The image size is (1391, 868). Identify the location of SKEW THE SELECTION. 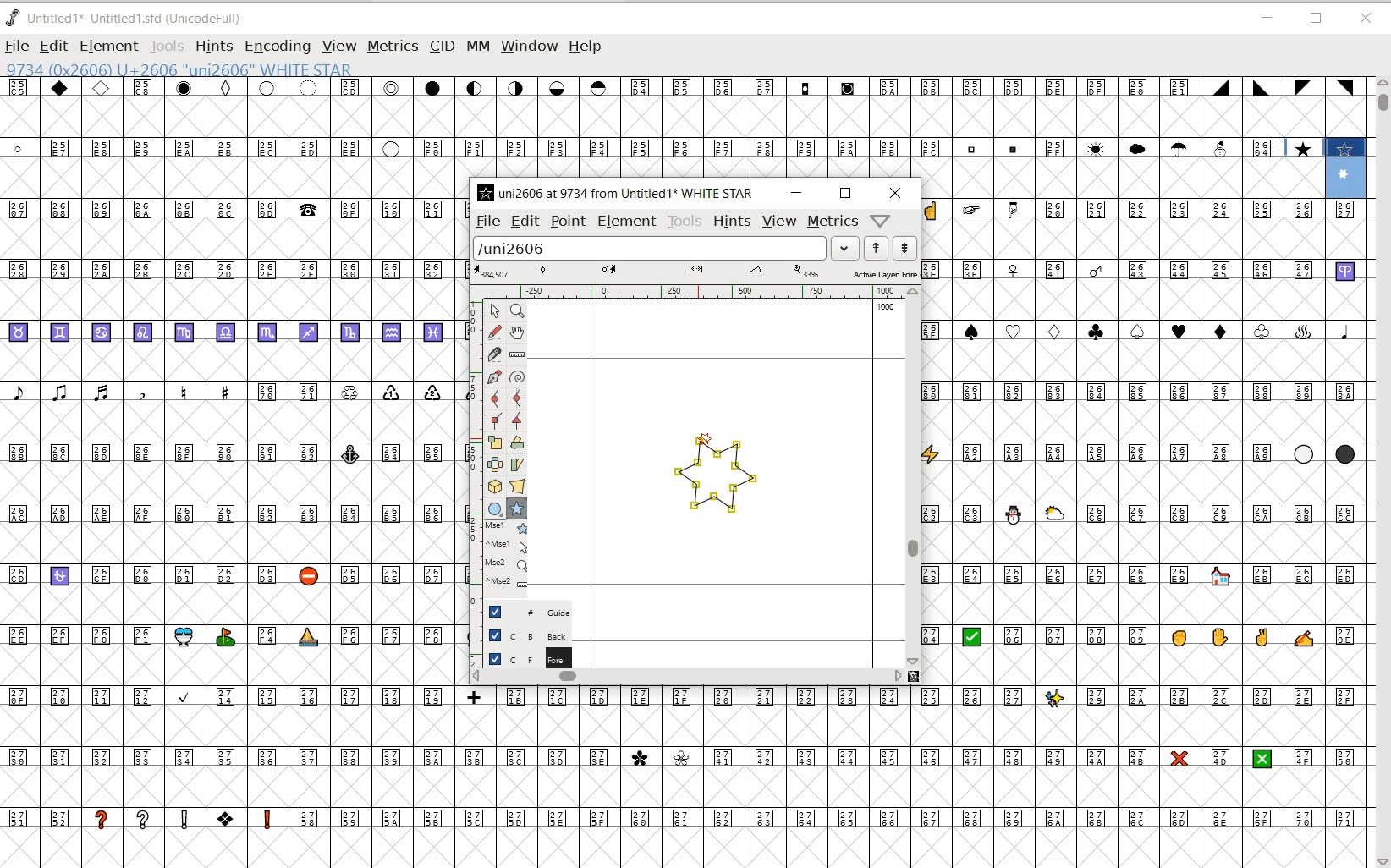
(519, 465).